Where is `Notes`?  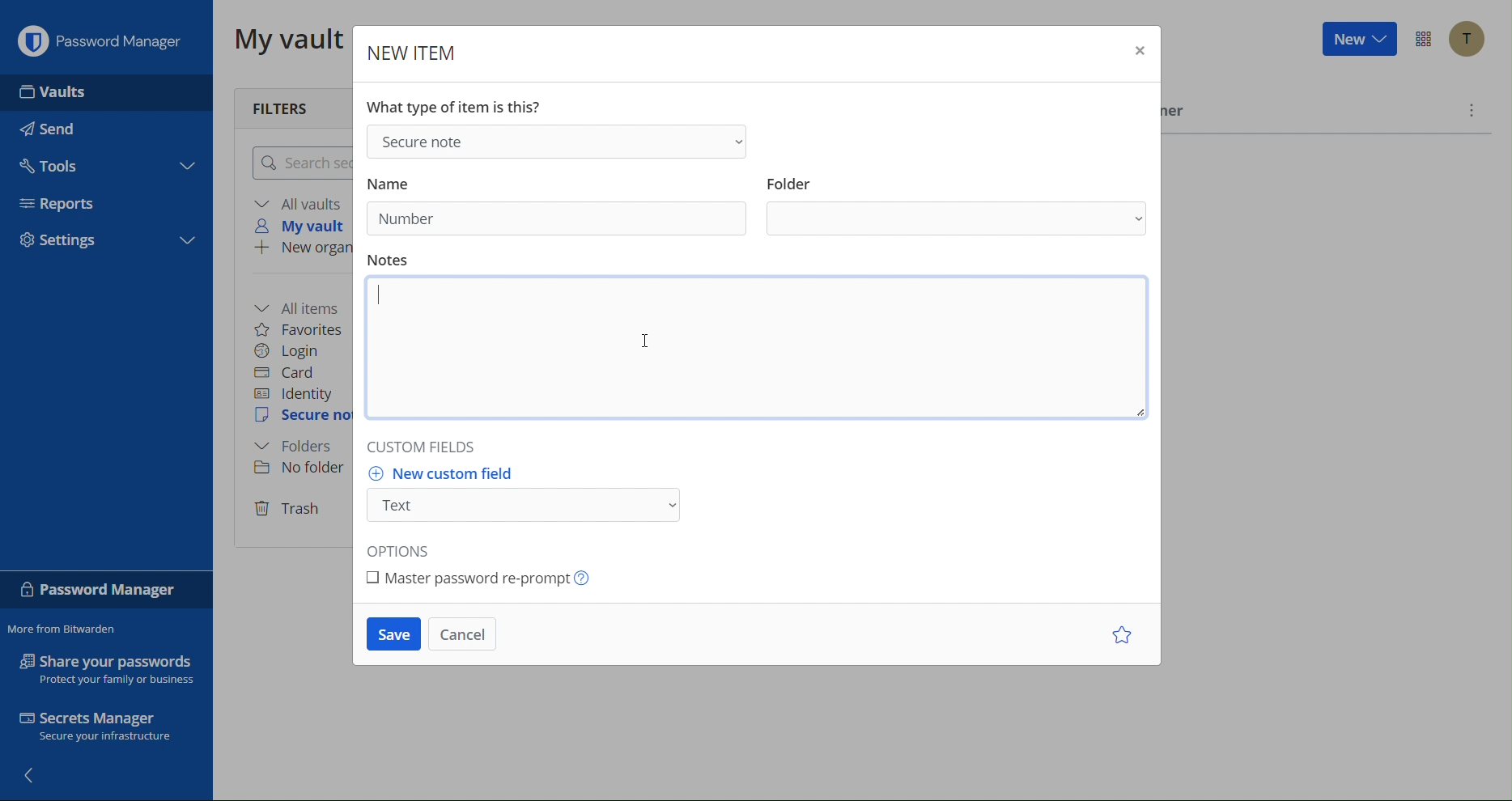 Notes is located at coordinates (752, 350).